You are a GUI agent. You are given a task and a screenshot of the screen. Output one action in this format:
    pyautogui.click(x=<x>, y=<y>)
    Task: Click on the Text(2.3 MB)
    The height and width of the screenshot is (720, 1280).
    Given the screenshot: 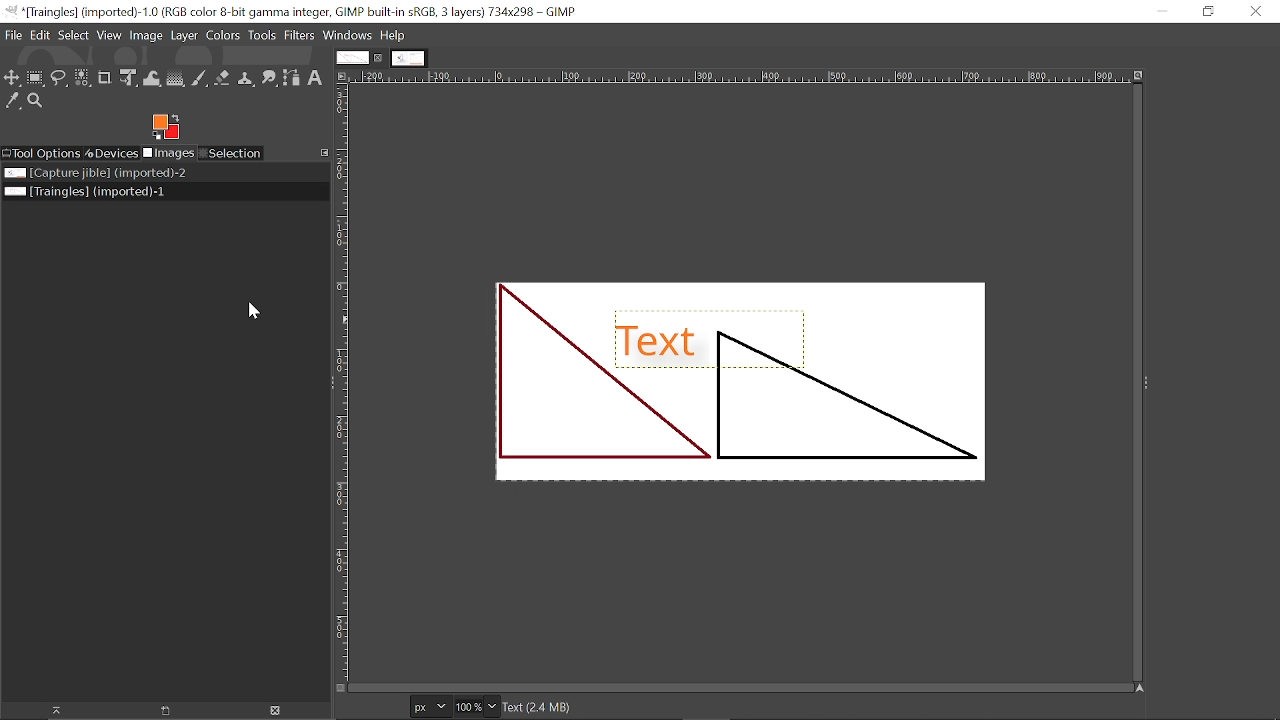 What is the action you would take?
    pyautogui.click(x=538, y=708)
    